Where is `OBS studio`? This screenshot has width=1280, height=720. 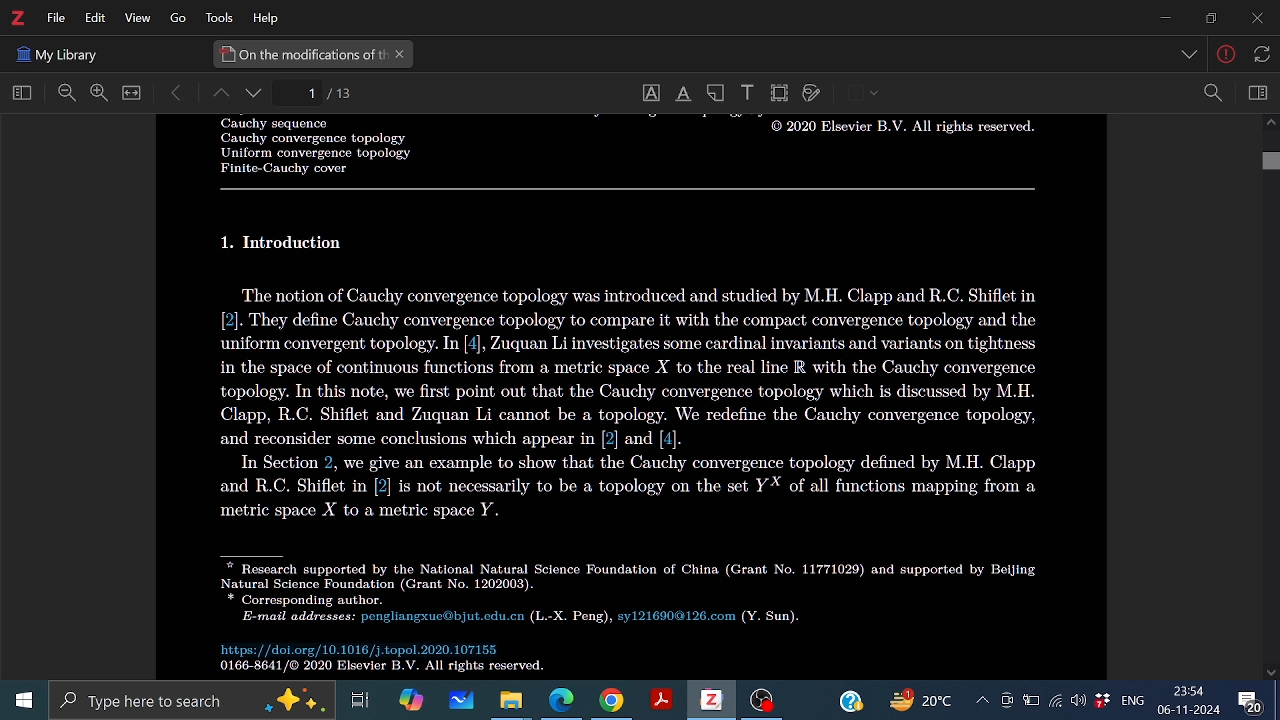 OBS studio is located at coordinates (762, 702).